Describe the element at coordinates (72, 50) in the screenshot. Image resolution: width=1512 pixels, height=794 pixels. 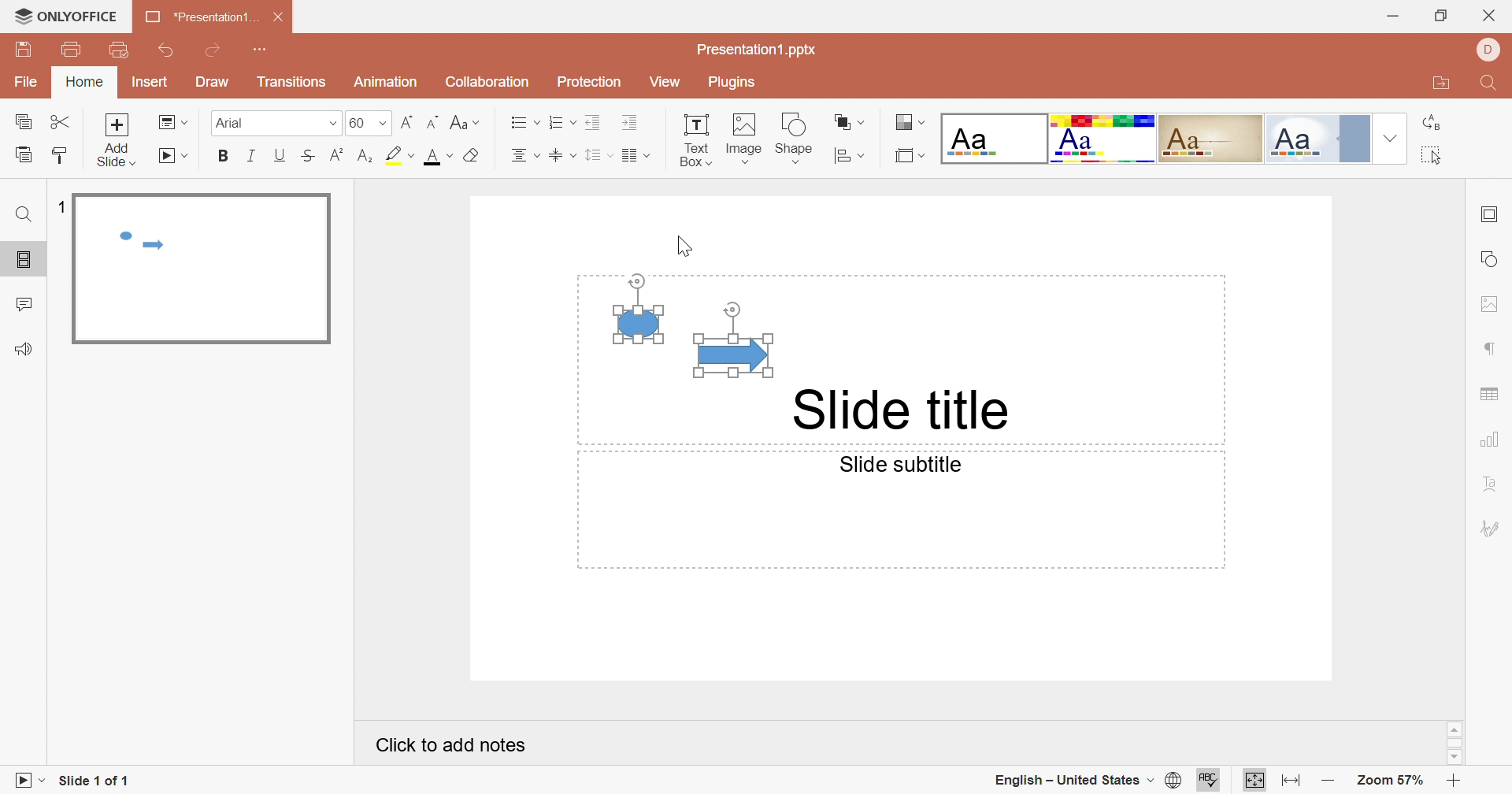
I see `Print` at that location.